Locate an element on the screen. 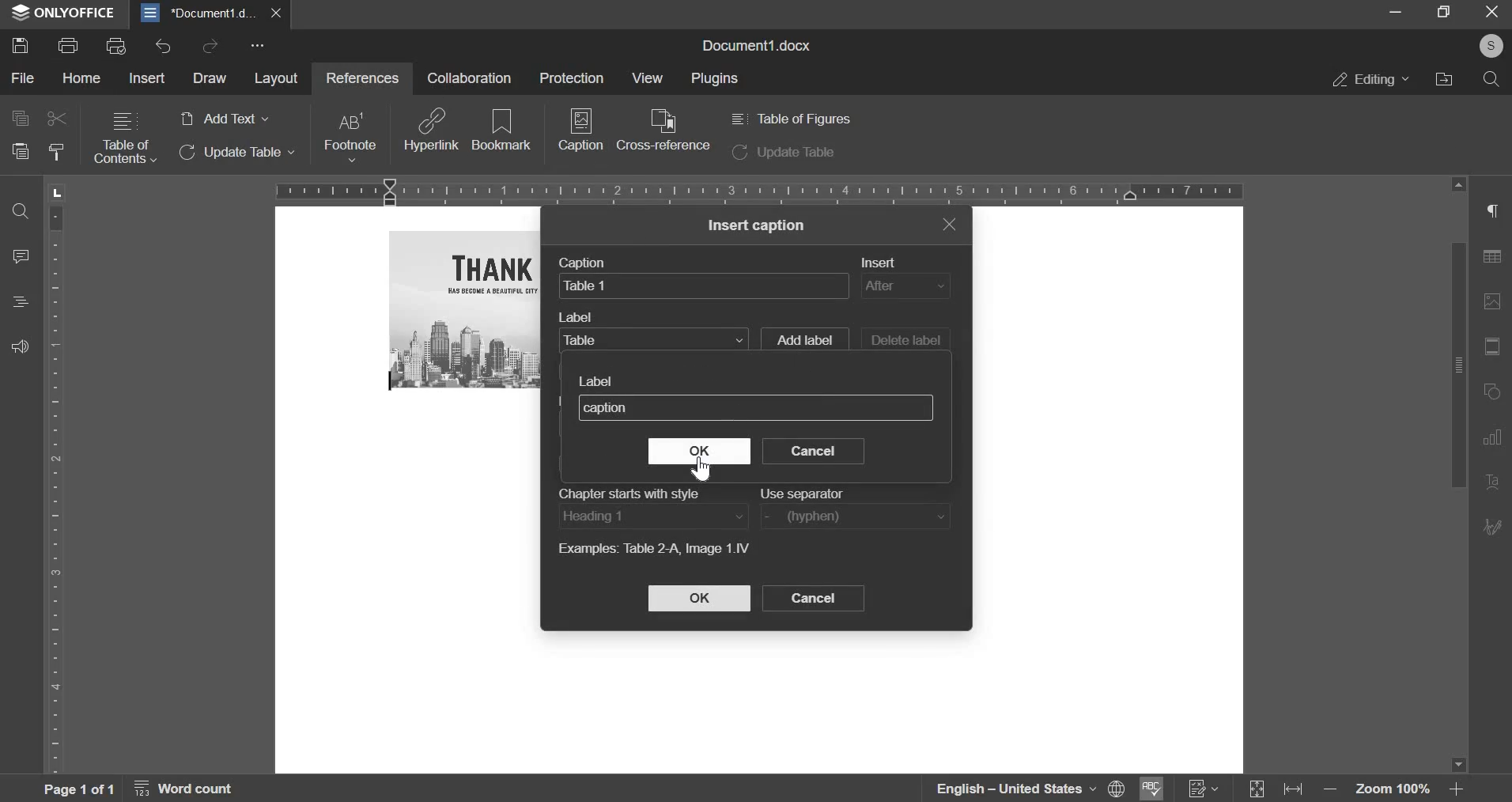  clear style is located at coordinates (56, 153).